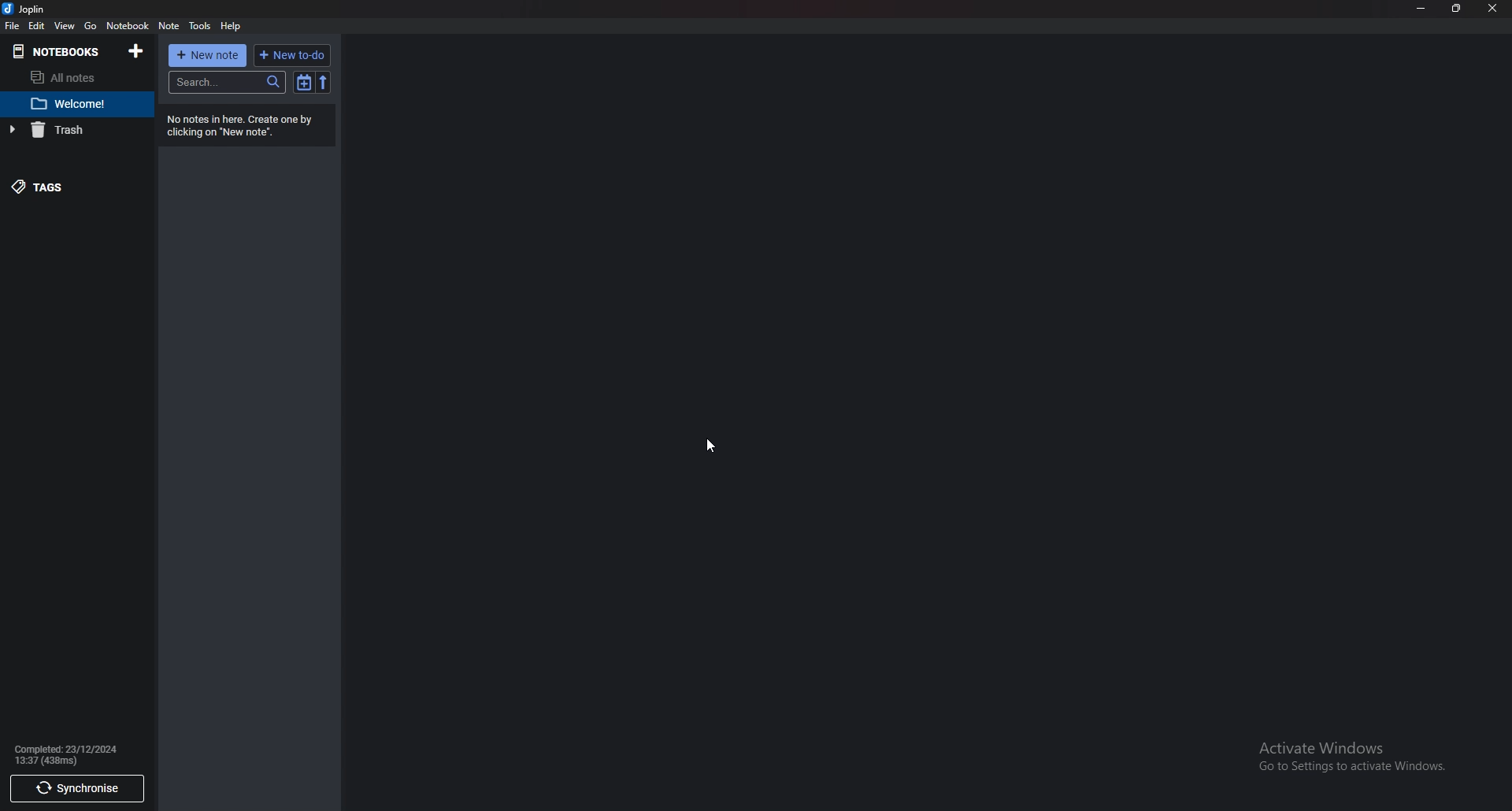 The width and height of the screenshot is (1512, 811). Describe the element at coordinates (12, 26) in the screenshot. I see `file` at that location.